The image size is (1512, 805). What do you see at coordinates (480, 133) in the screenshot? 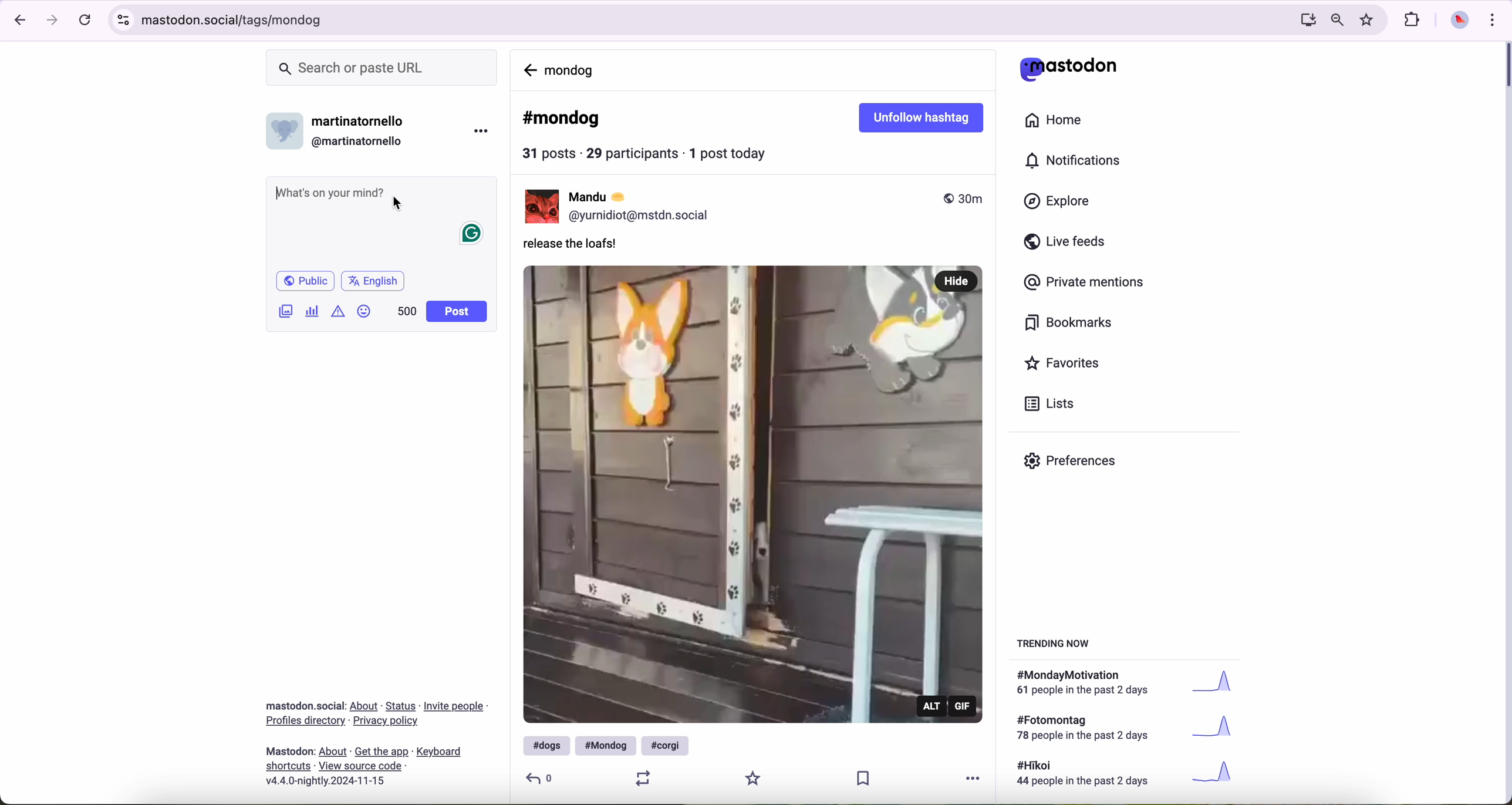
I see `more options` at bounding box center [480, 133].